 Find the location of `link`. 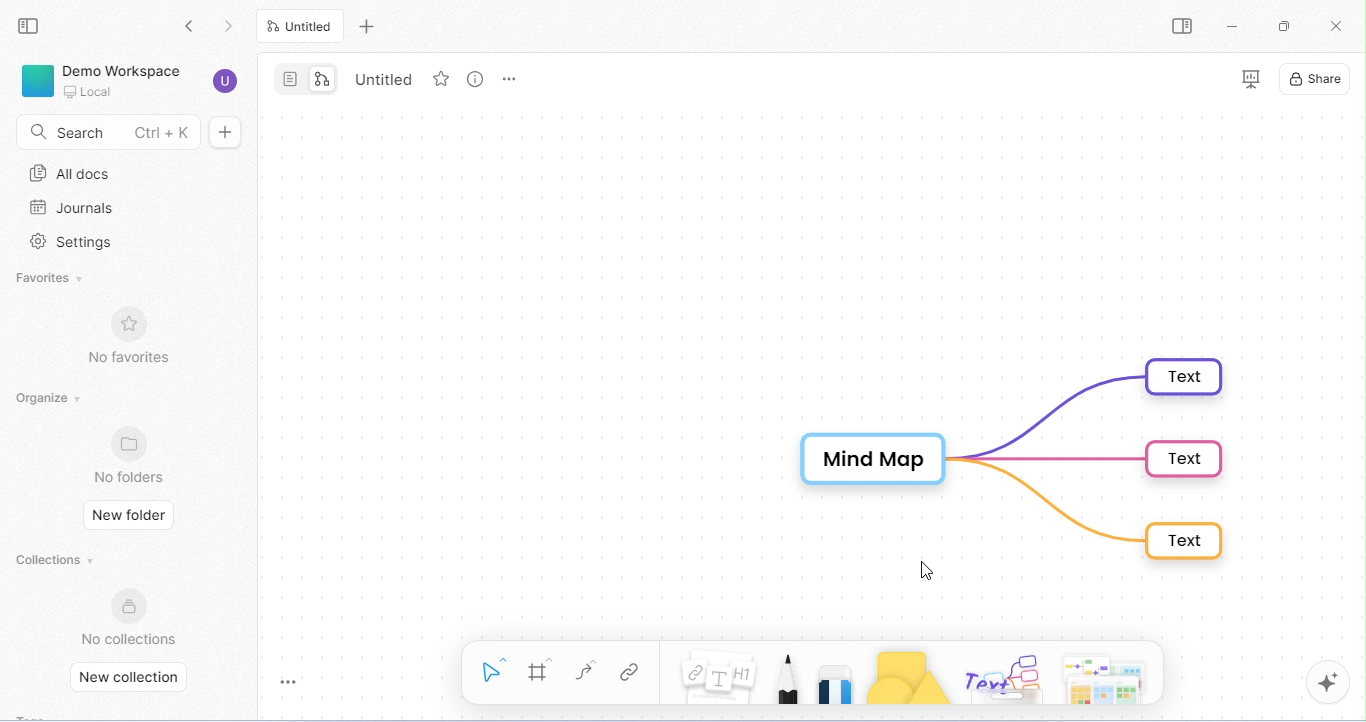

link is located at coordinates (628, 674).